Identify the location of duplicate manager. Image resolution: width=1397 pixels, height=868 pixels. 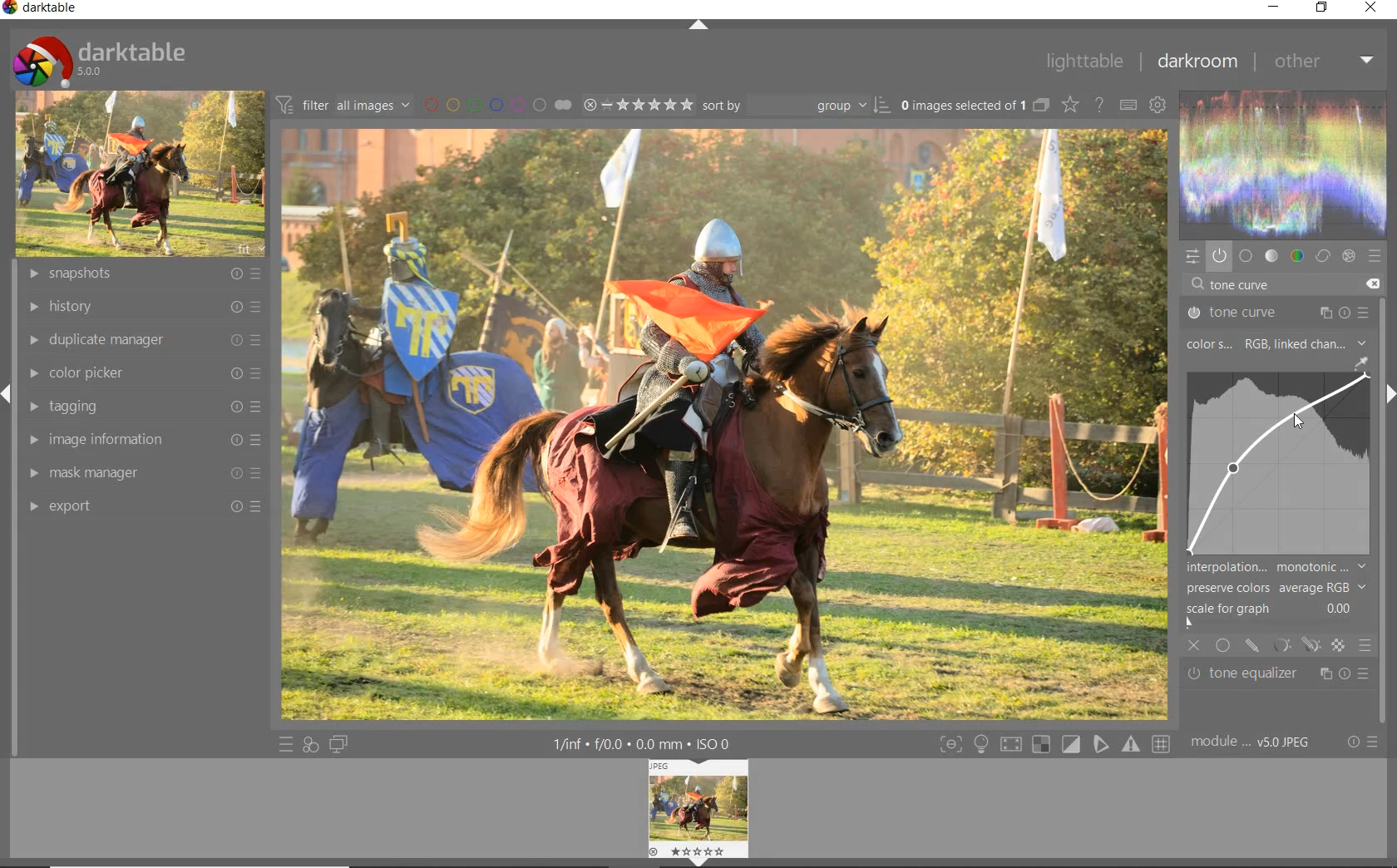
(144, 339).